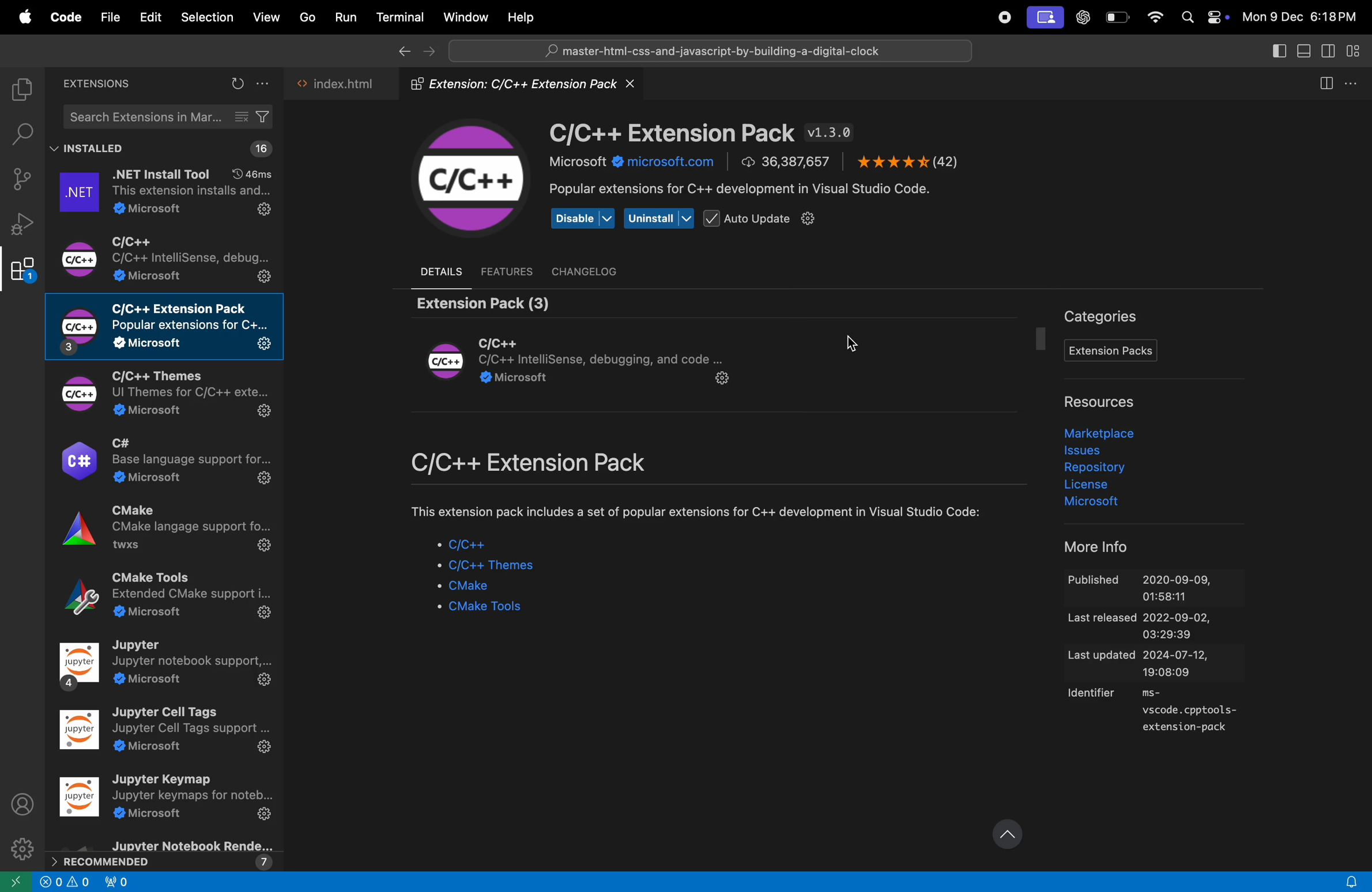  What do you see at coordinates (710, 50) in the screenshot?
I see `search bar` at bounding box center [710, 50].